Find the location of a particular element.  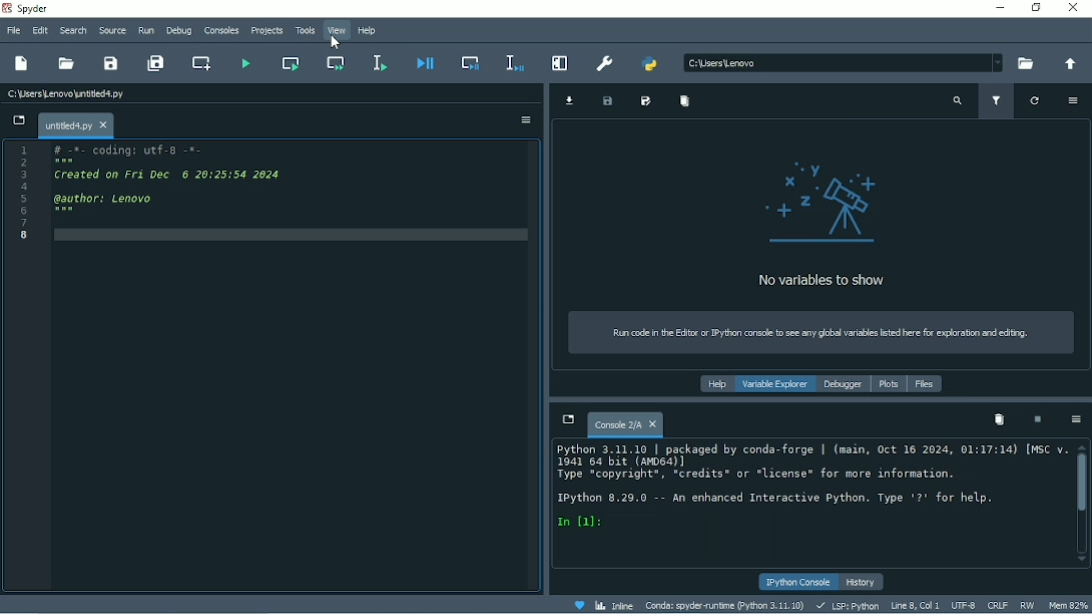

Browse a working directory is located at coordinates (1025, 63).